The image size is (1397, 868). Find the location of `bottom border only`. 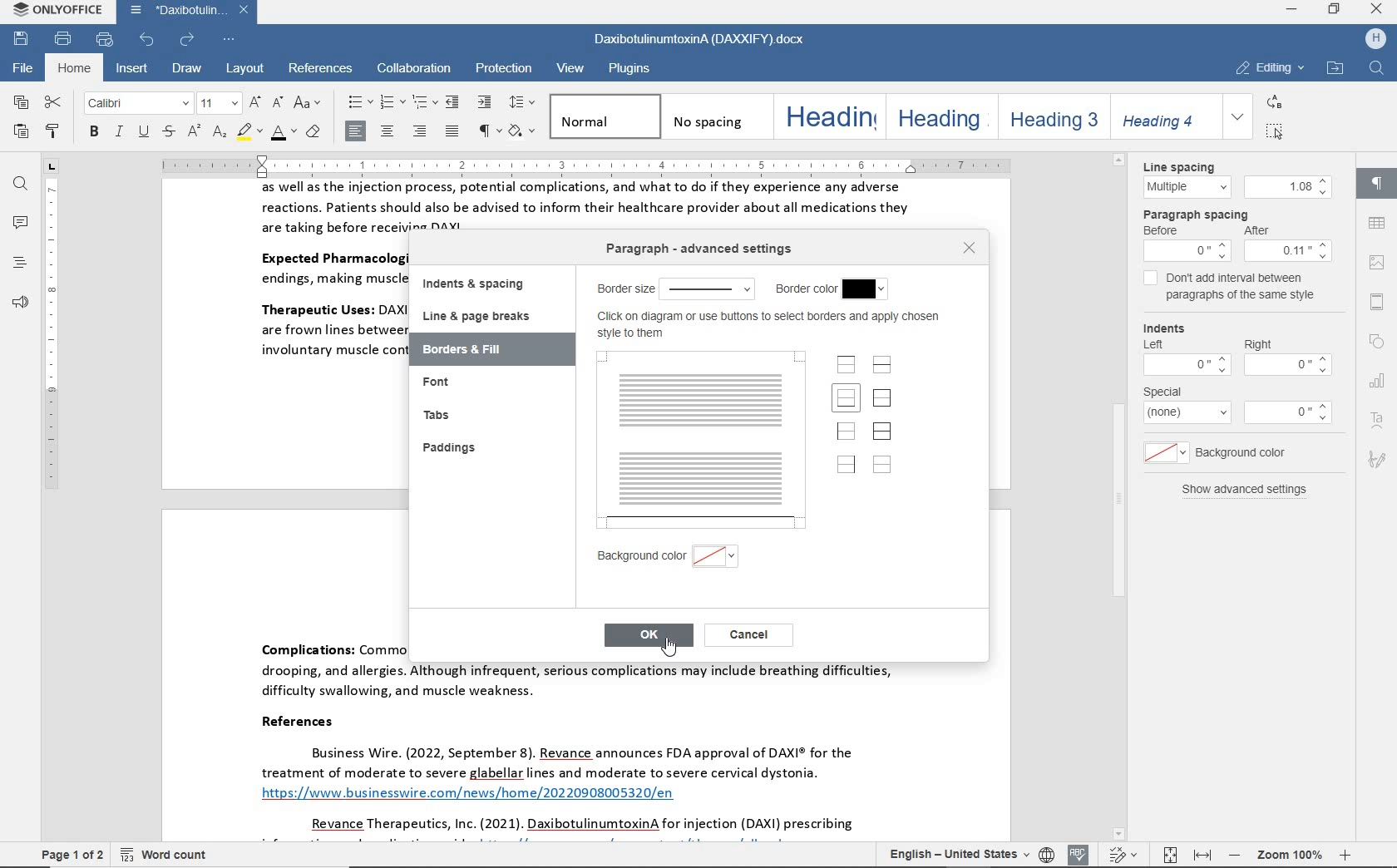

bottom border only is located at coordinates (955, 429).